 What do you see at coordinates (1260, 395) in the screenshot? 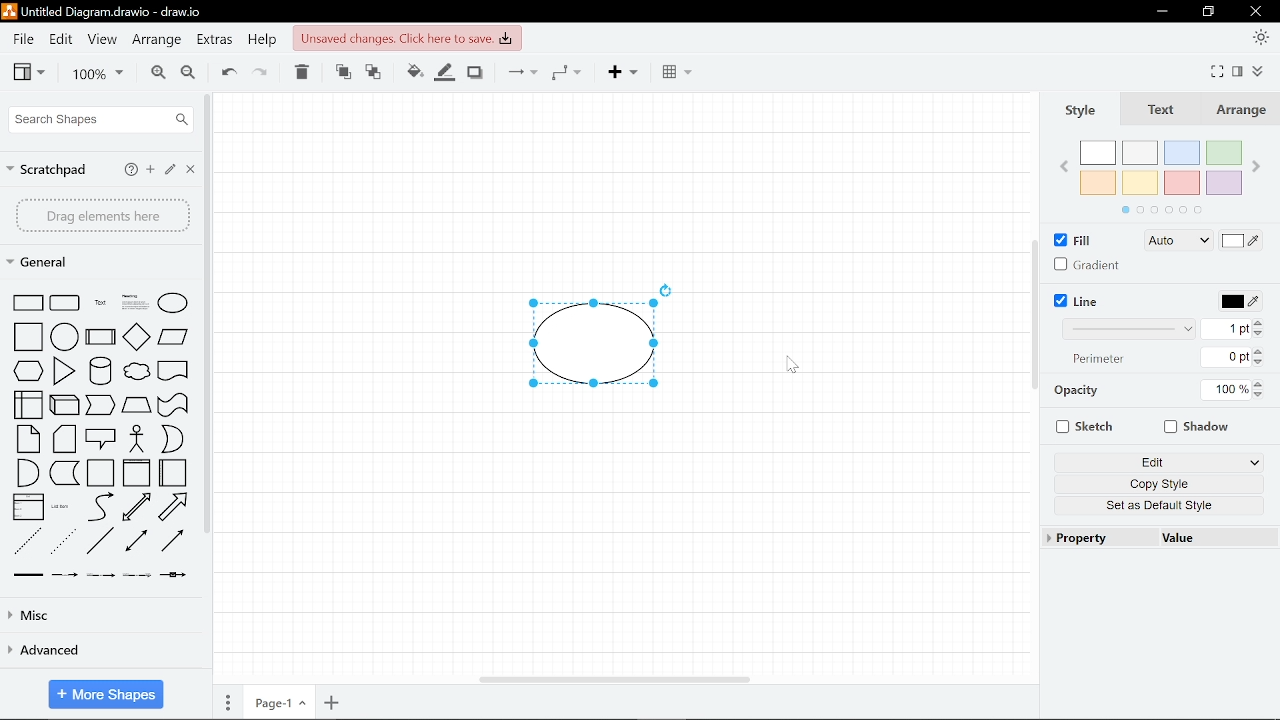
I see `Decrease opacity` at bounding box center [1260, 395].